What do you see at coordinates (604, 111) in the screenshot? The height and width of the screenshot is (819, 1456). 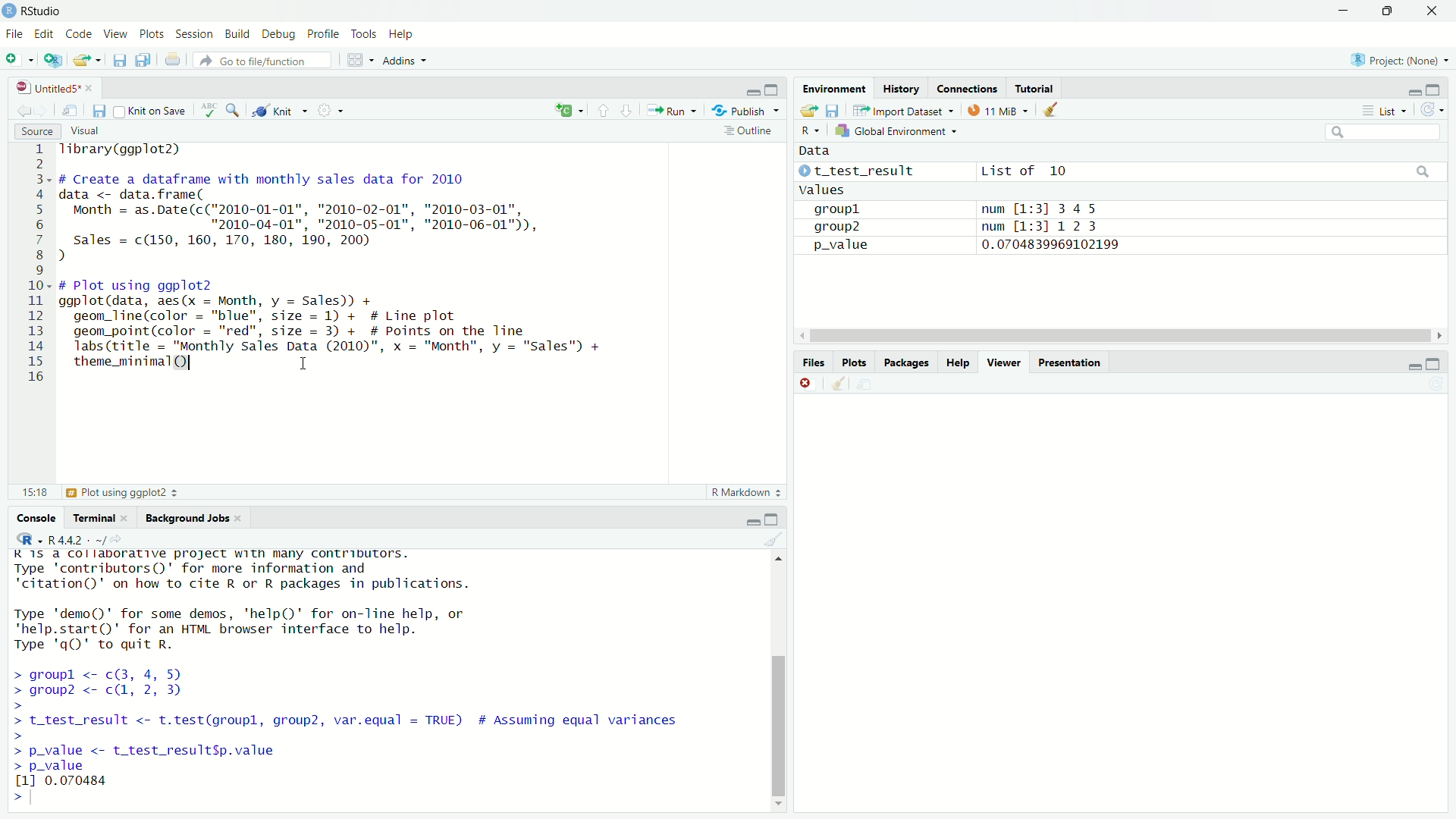 I see `go to previous section` at bounding box center [604, 111].